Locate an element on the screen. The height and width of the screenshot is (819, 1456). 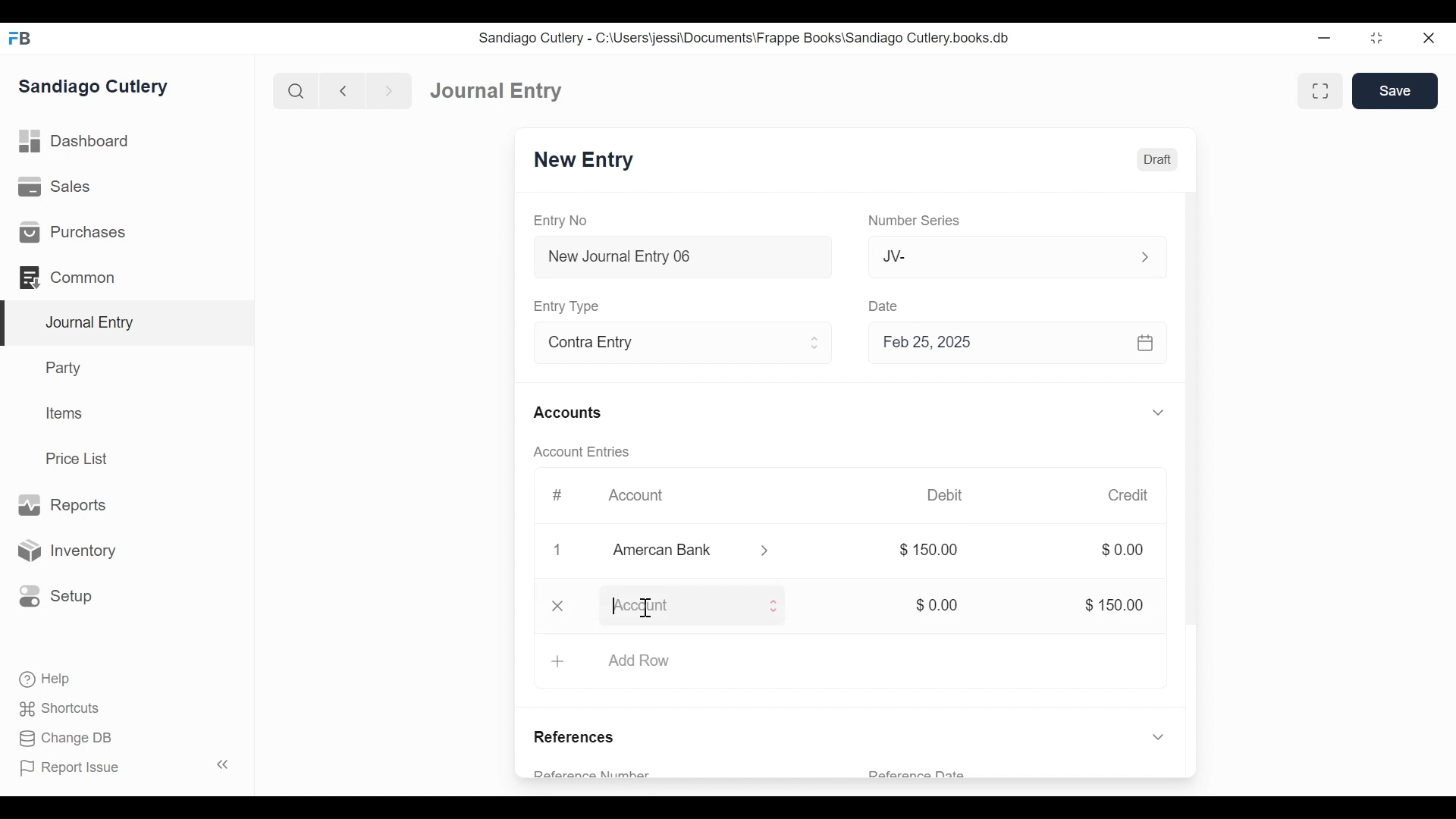
JV- is located at coordinates (999, 255).